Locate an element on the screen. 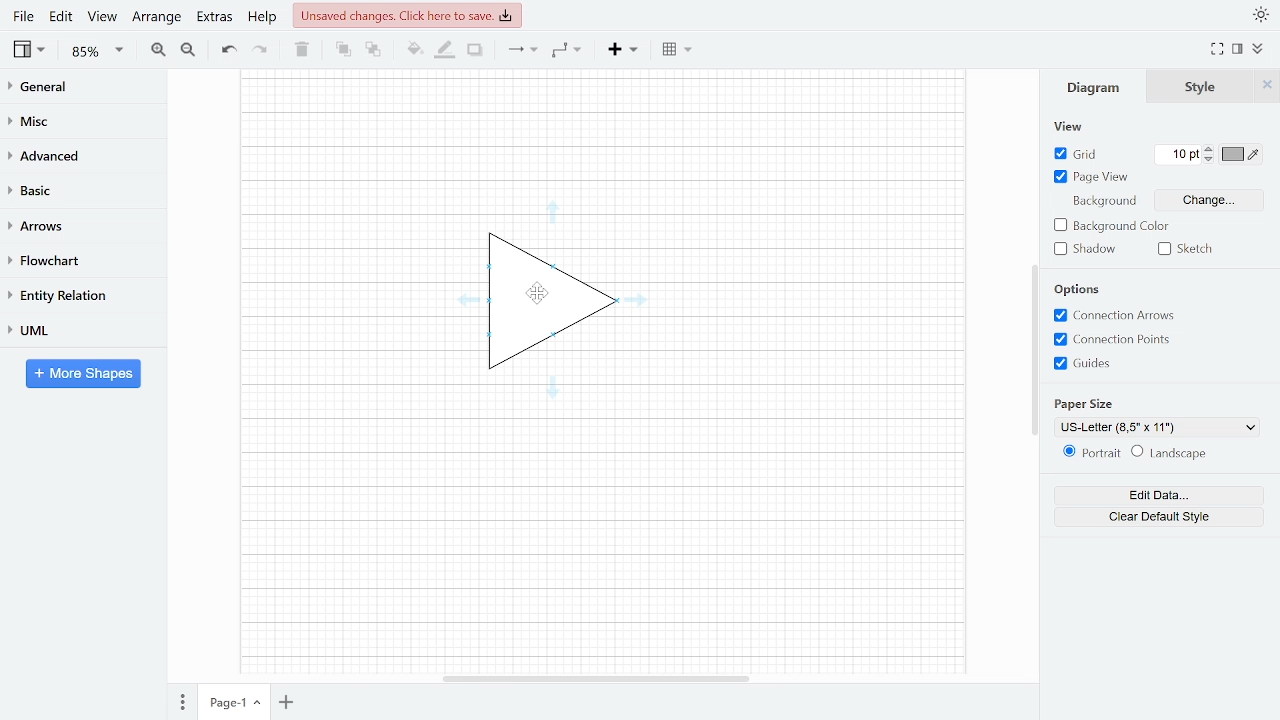 This screenshot has height=720, width=1280. Style is located at coordinates (1200, 87).